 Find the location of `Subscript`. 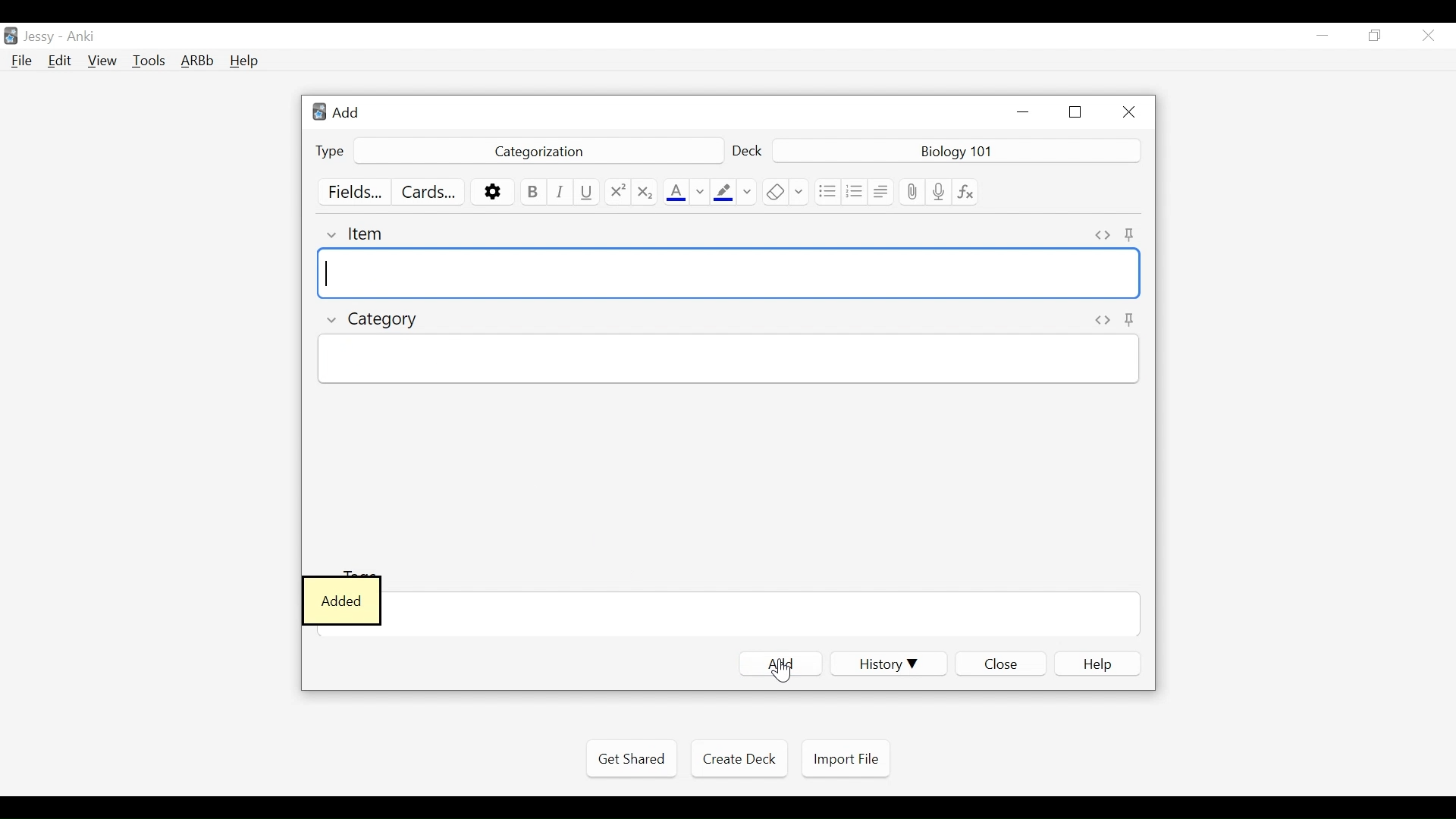

Subscript is located at coordinates (645, 192).